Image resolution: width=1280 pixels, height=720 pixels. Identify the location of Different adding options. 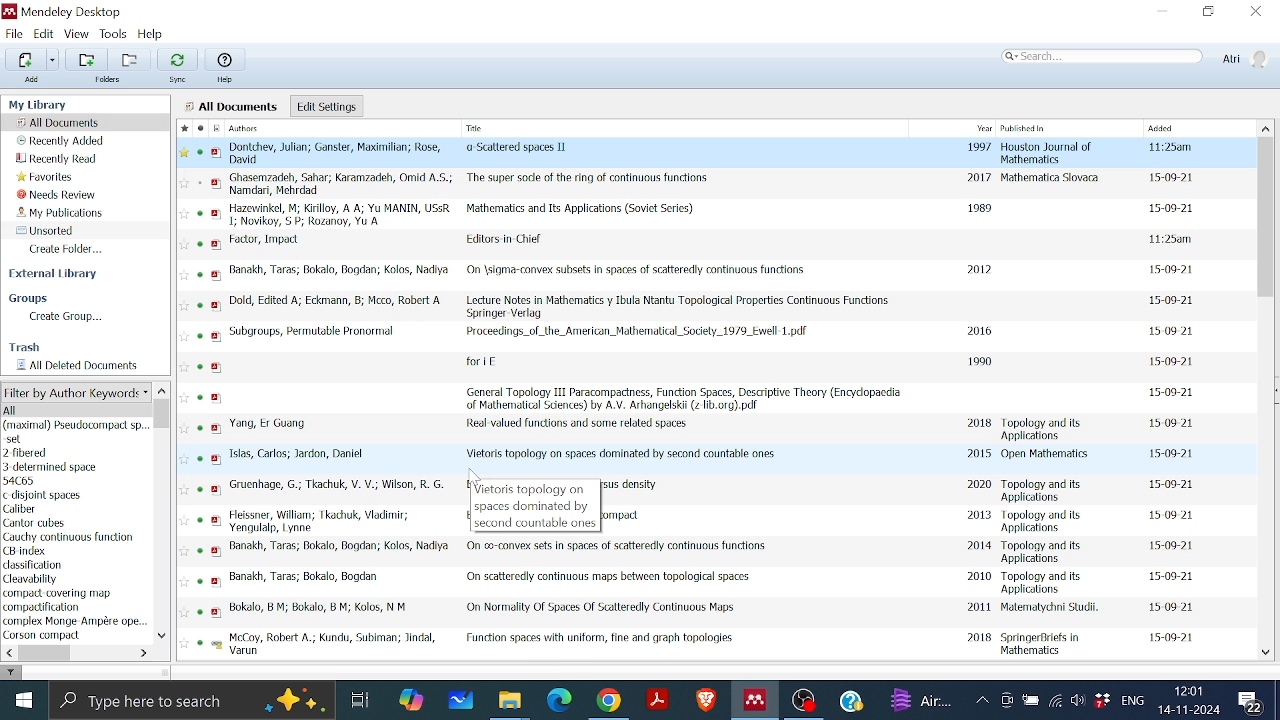
(53, 61).